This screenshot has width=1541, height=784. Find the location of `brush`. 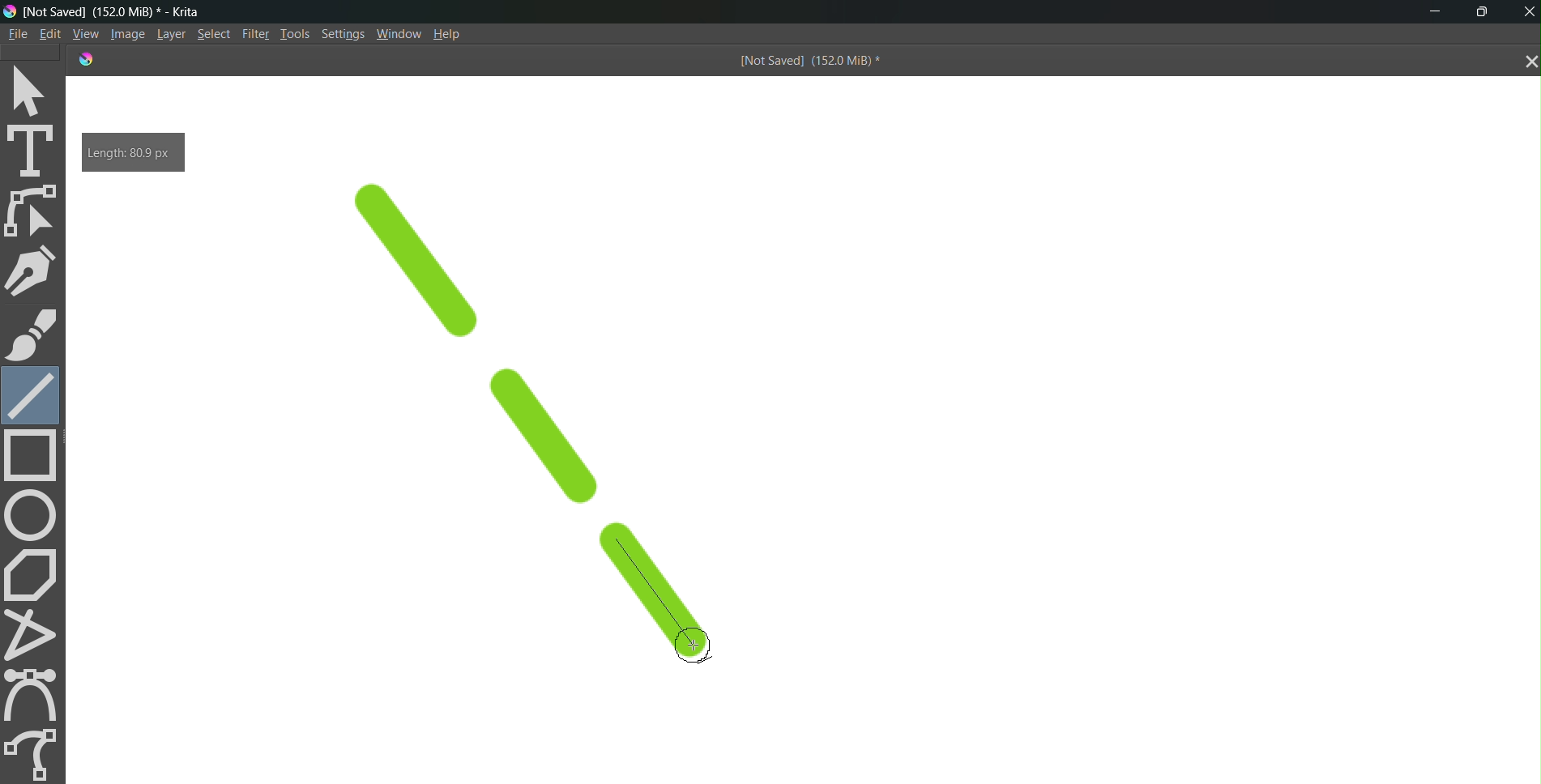

brush is located at coordinates (32, 334).